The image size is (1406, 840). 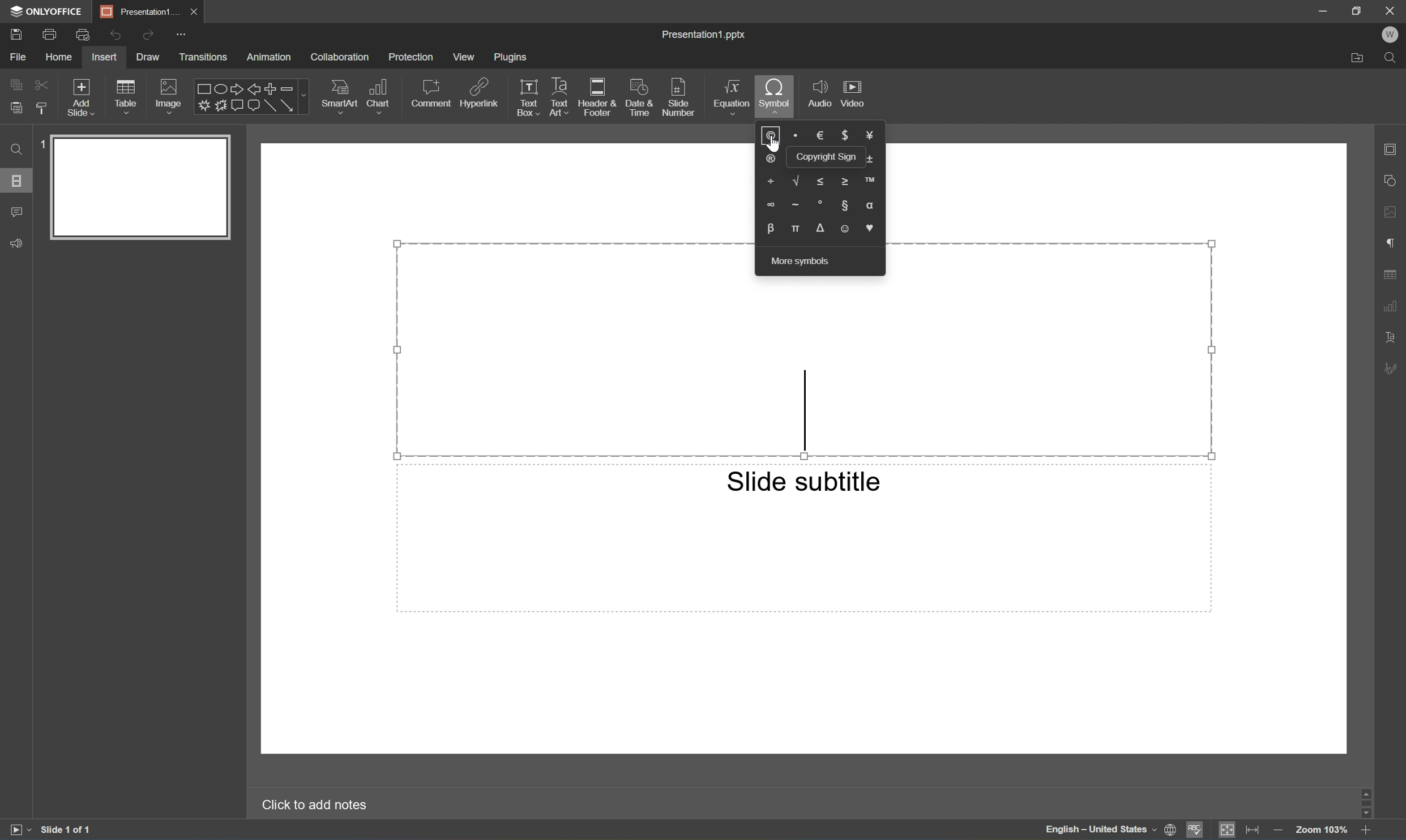 What do you see at coordinates (1097, 830) in the screenshot?
I see `English - United States` at bounding box center [1097, 830].